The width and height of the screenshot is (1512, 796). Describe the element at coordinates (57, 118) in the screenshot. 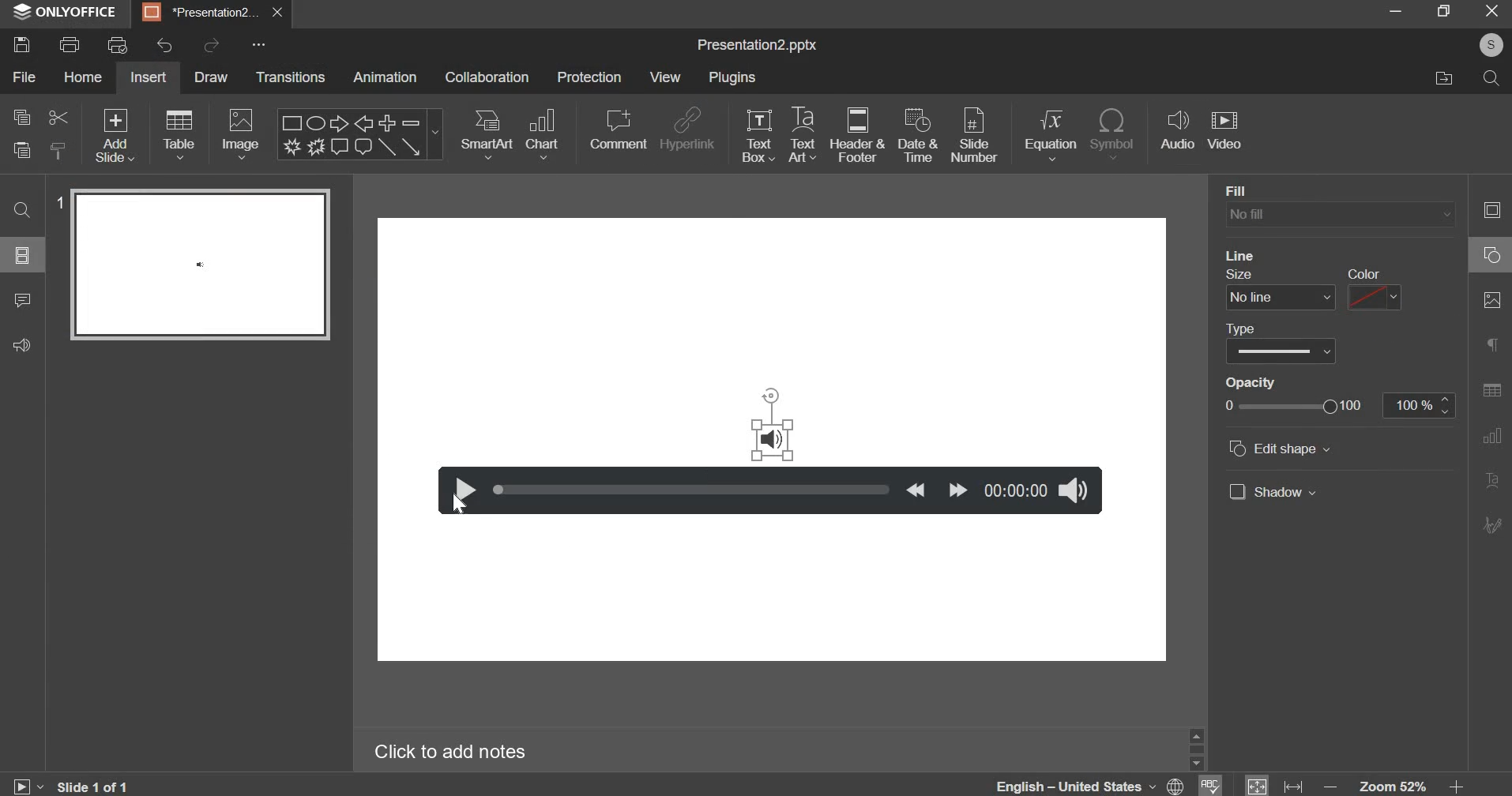

I see `cut` at that location.